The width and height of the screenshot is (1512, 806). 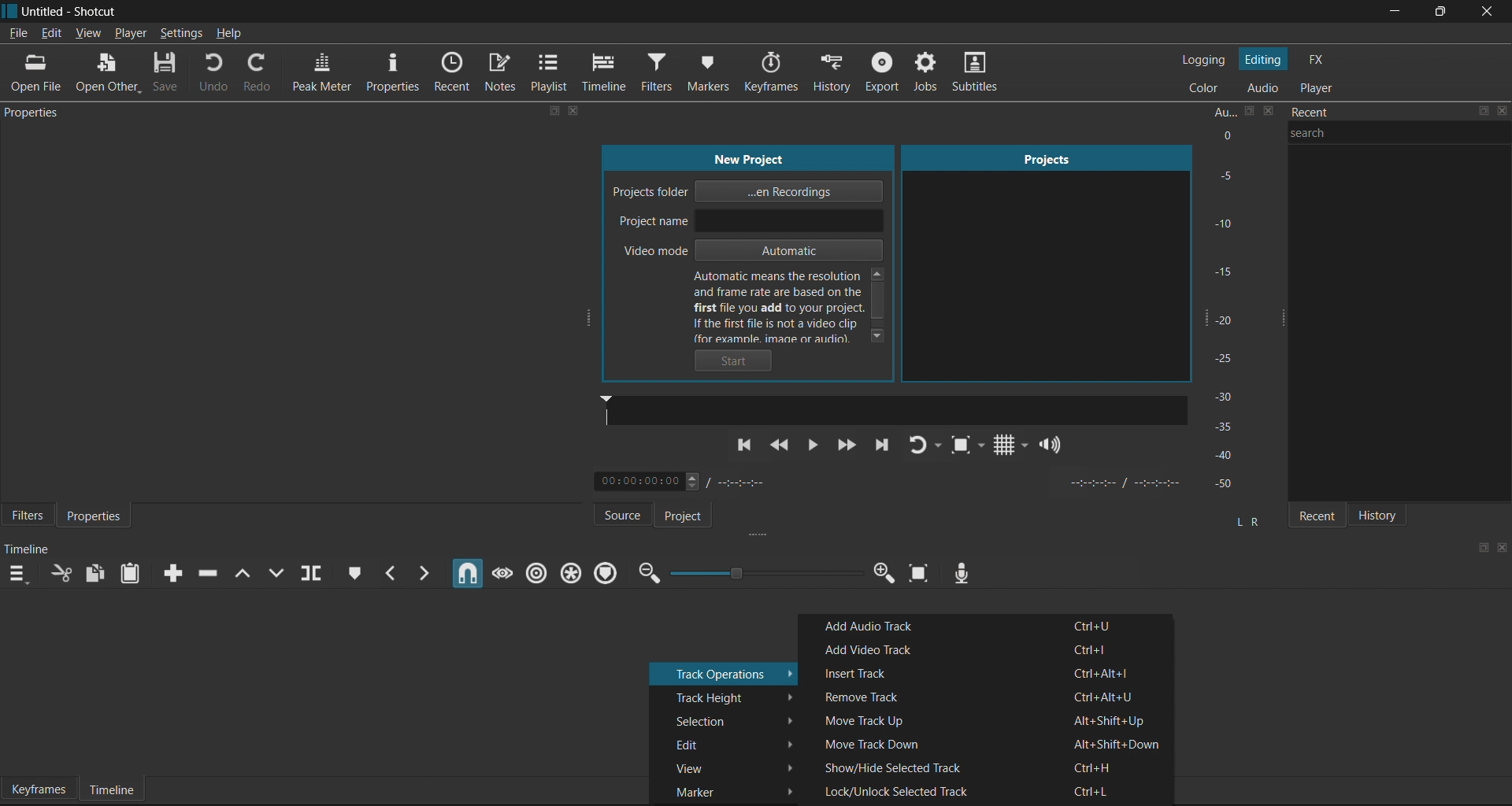 What do you see at coordinates (88, 31) in the screenshot?
I see `View` at bounding box center [88, 31].